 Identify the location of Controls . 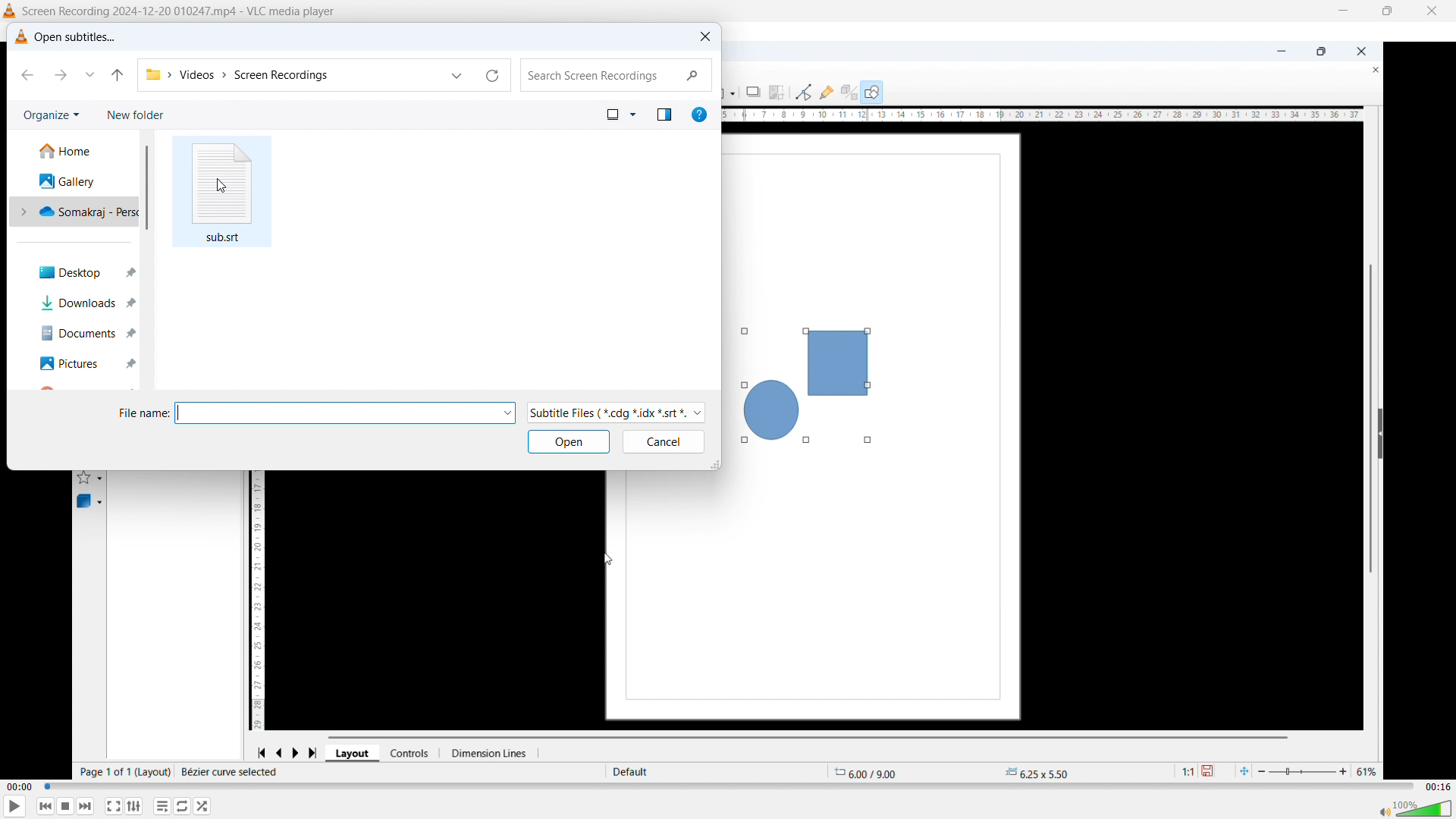
(415, 753).